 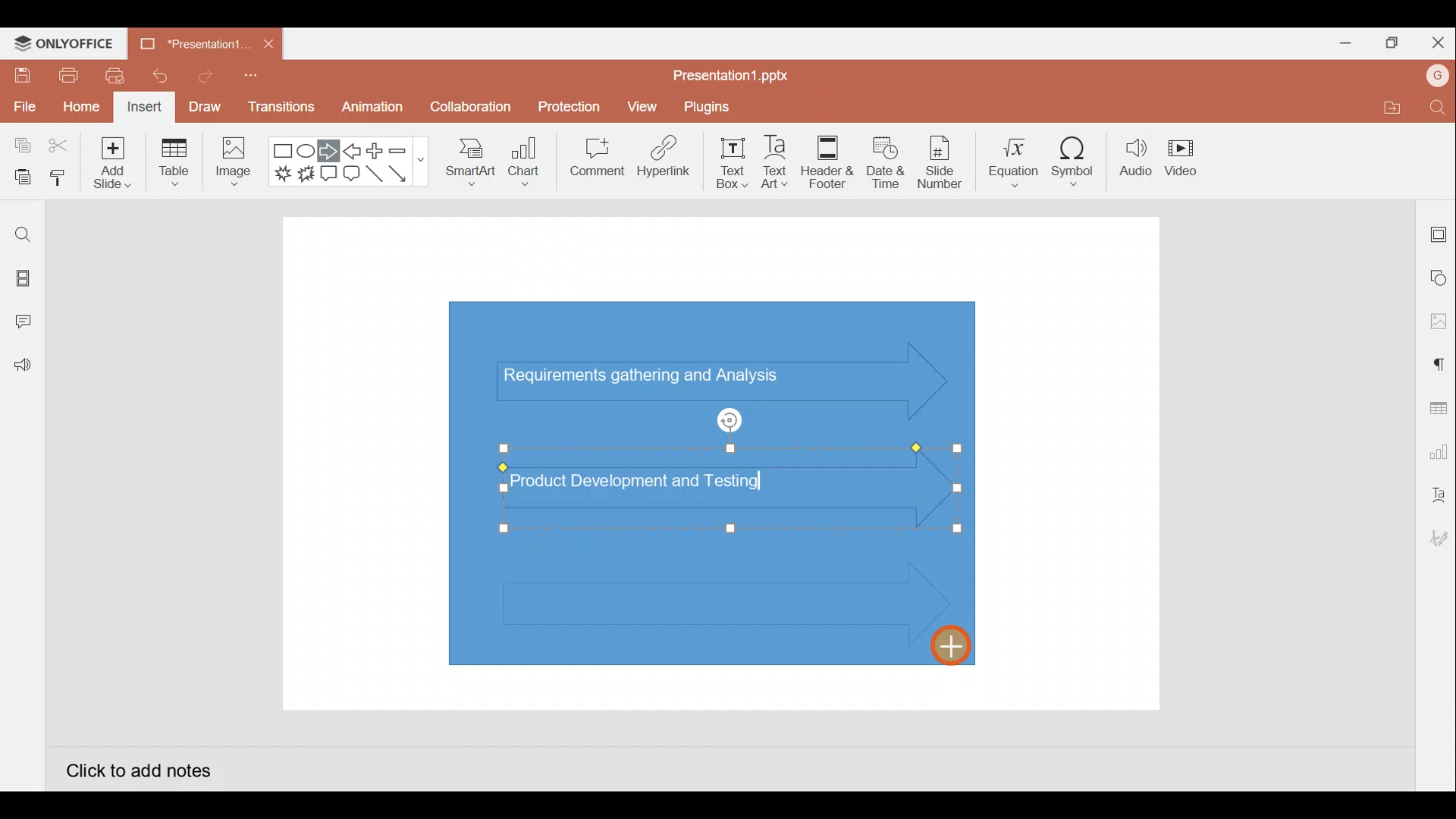 I want to click on Presentation1.pptx, so click(x=736, y=71).